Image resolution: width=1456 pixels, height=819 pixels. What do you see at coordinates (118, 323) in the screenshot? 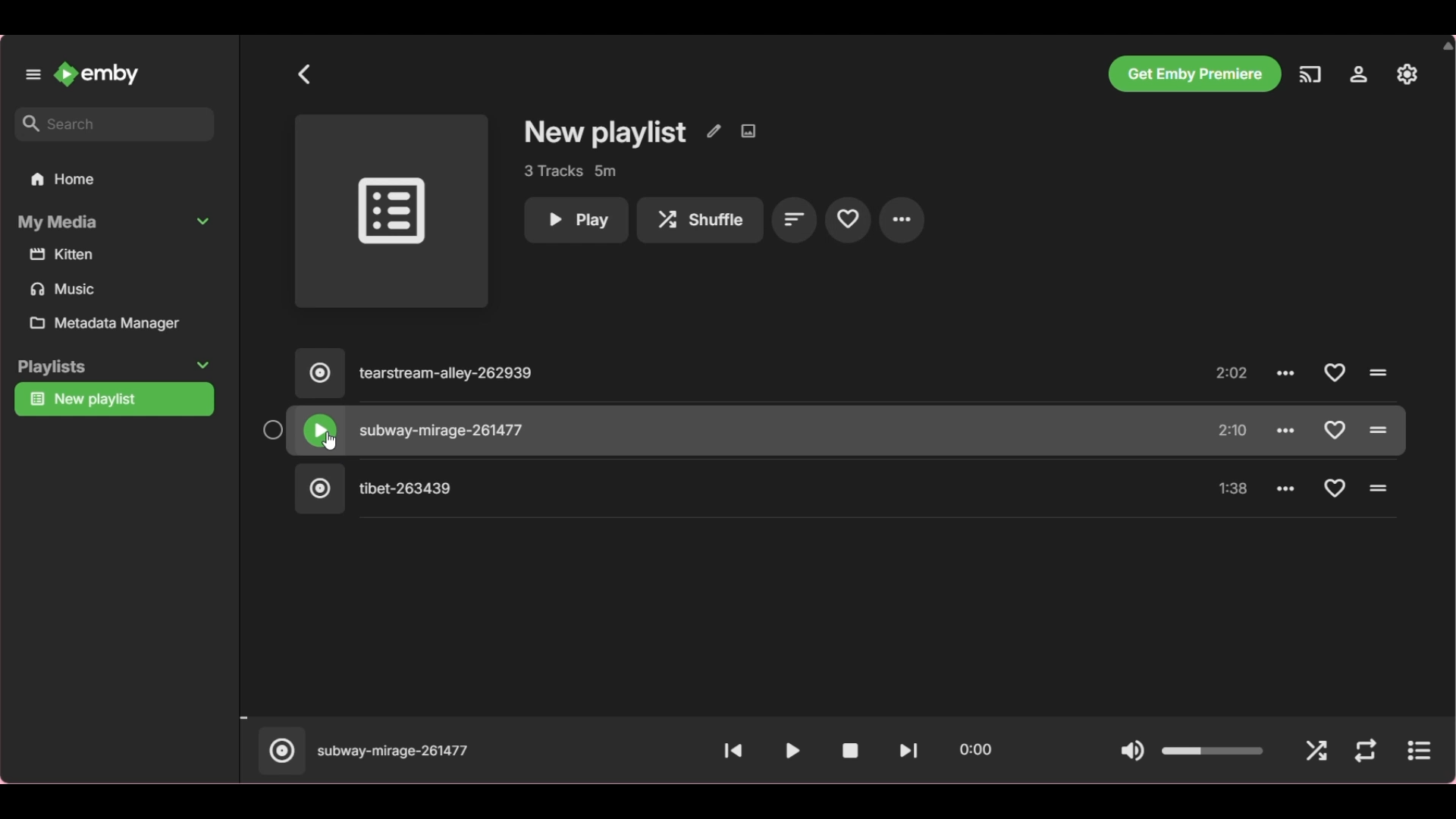
I see `Metadata manager` at bounding box center [118, 323].